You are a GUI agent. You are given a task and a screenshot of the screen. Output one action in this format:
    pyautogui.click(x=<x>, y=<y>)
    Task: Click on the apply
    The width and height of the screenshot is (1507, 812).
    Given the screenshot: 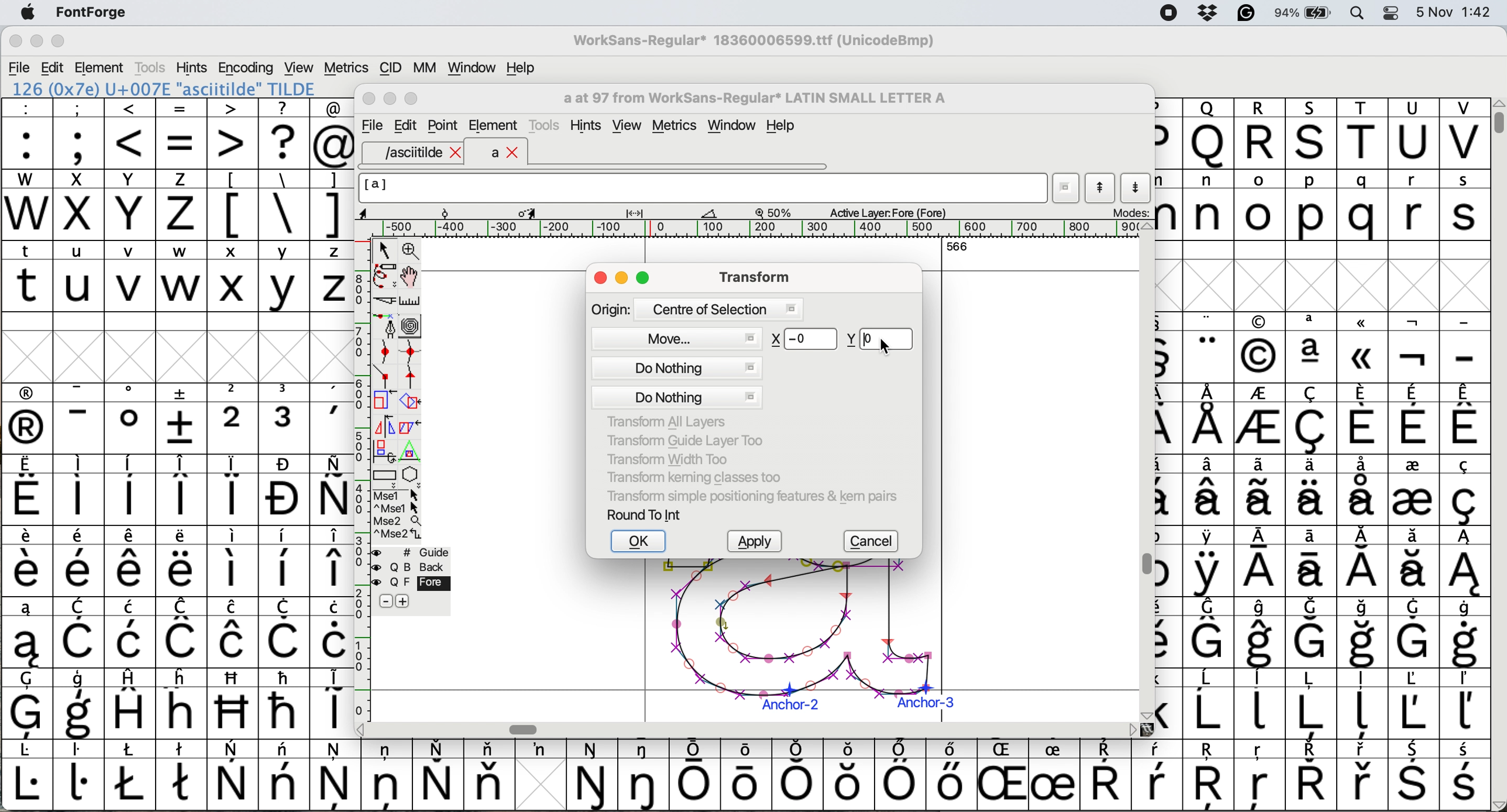 What is the action you would take?
    pyautogui.click(x=759, y=542)
    